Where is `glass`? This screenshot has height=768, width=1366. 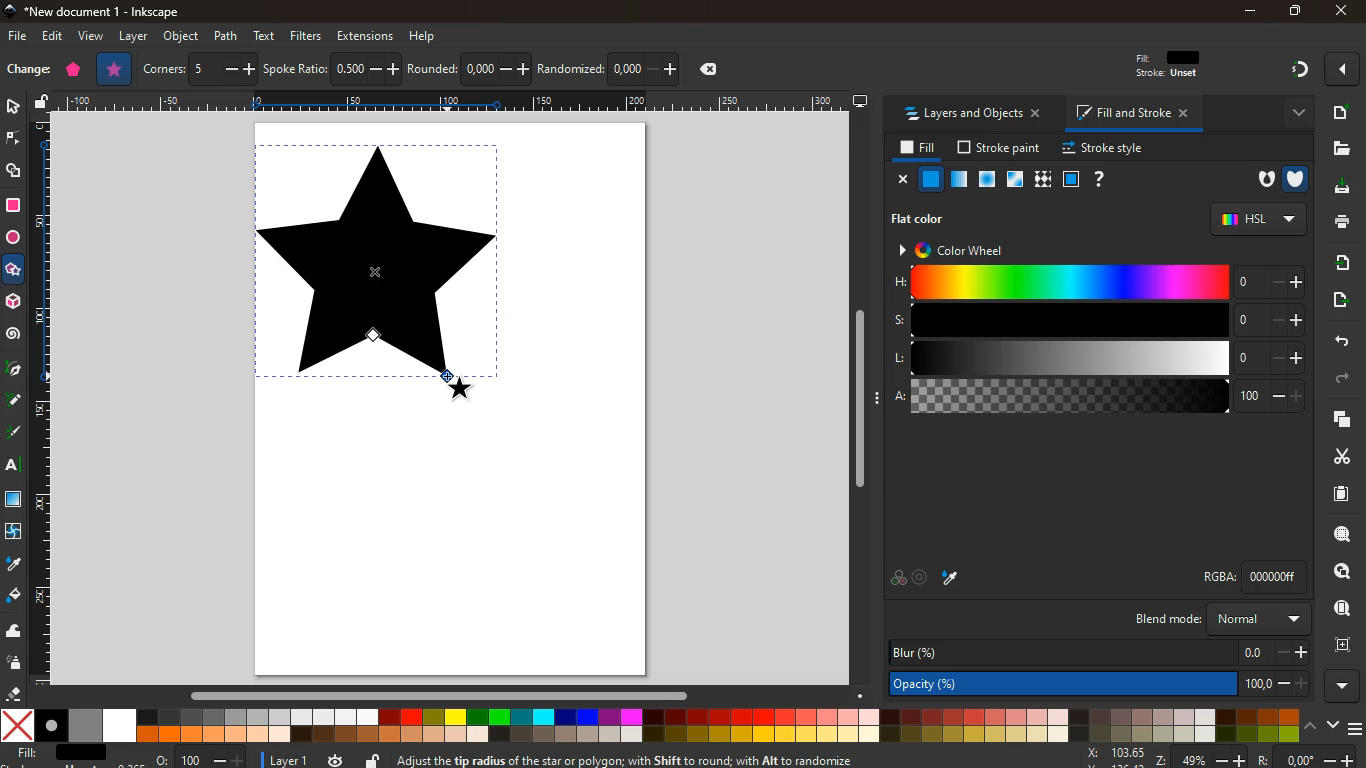 glass is located at coordinates (1016, 179).